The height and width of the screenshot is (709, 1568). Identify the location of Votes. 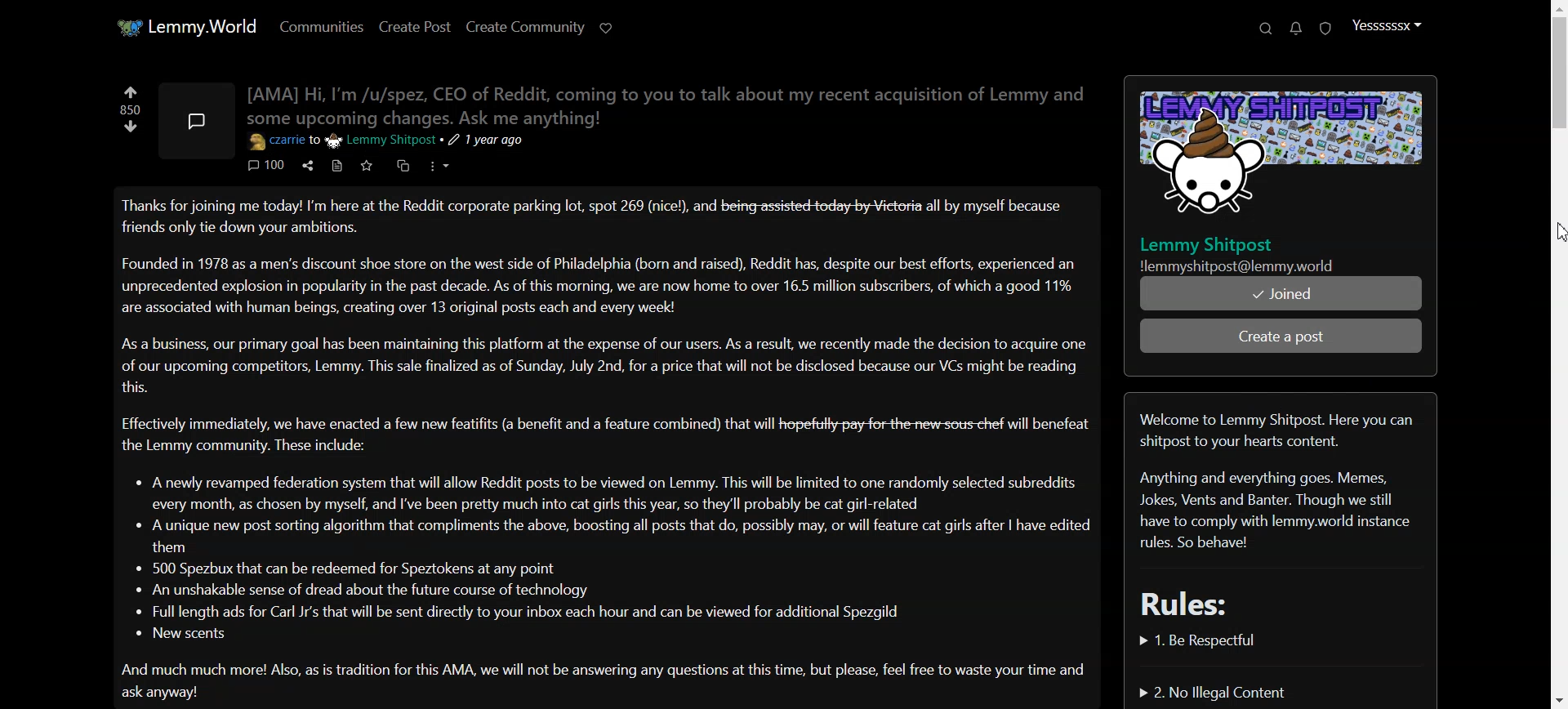
(131, 110).